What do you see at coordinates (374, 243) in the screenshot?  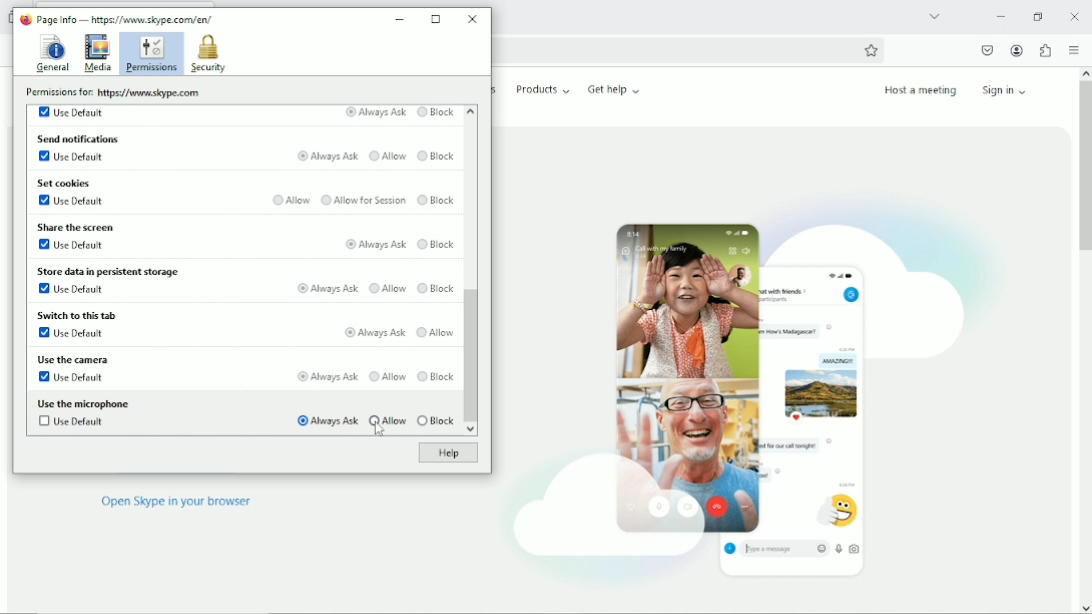 I see `Always ask` at bounding box center [374, 243].